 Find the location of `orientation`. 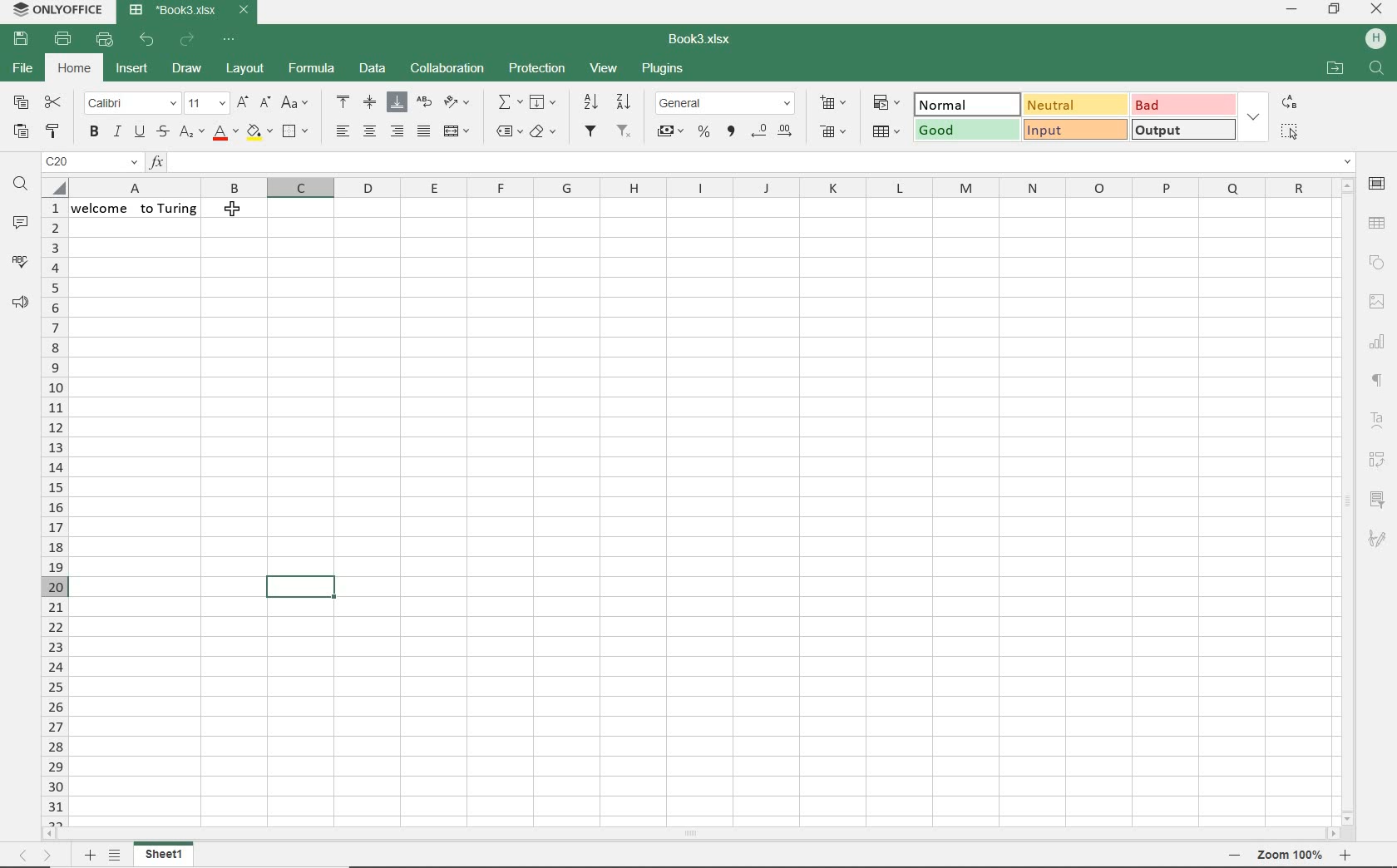

orientation is located at coordinates (456, 104).